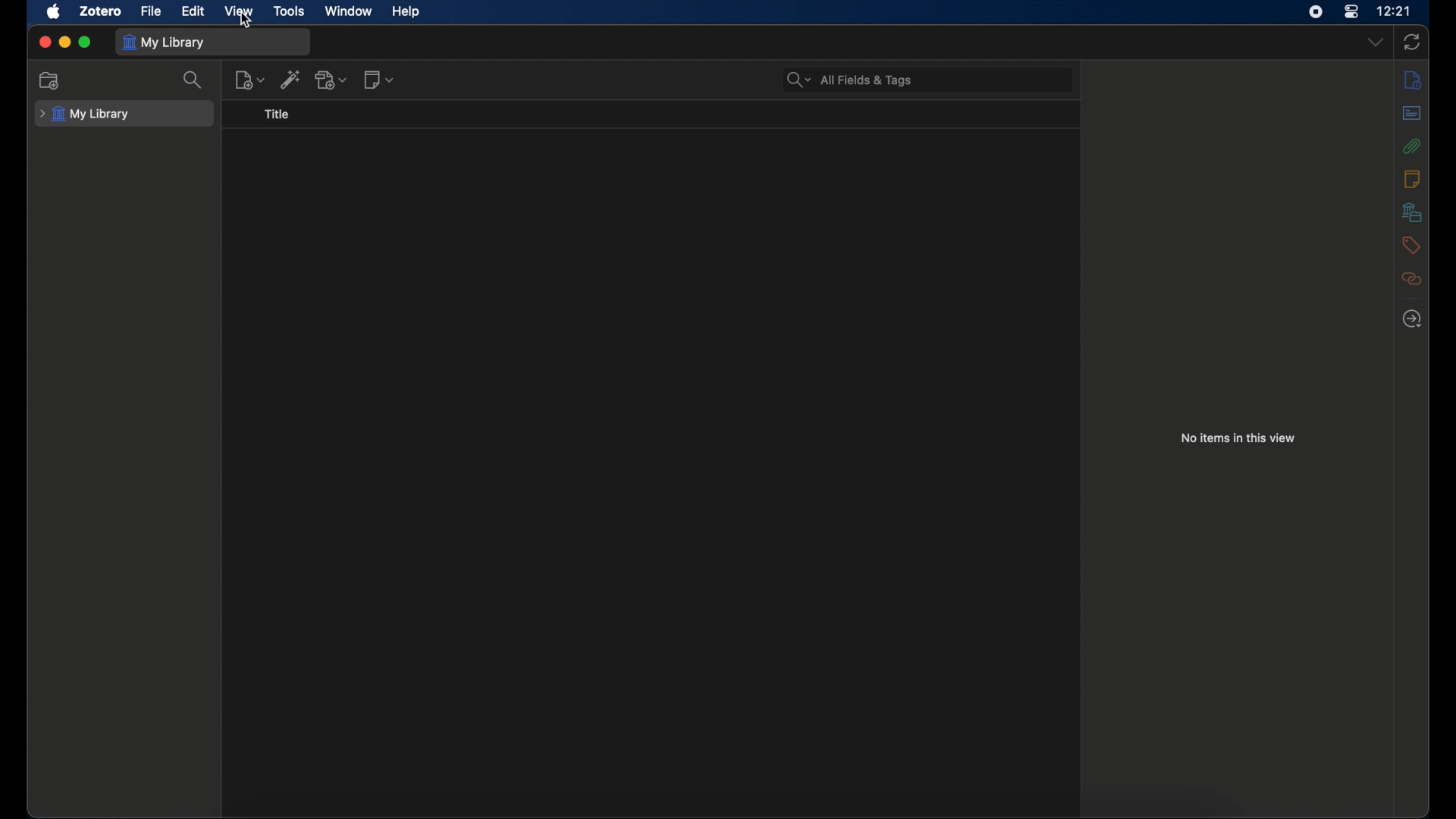  Describe the element at coordinates (1411, 146) in the screenshot. I see `attachments` at that location.